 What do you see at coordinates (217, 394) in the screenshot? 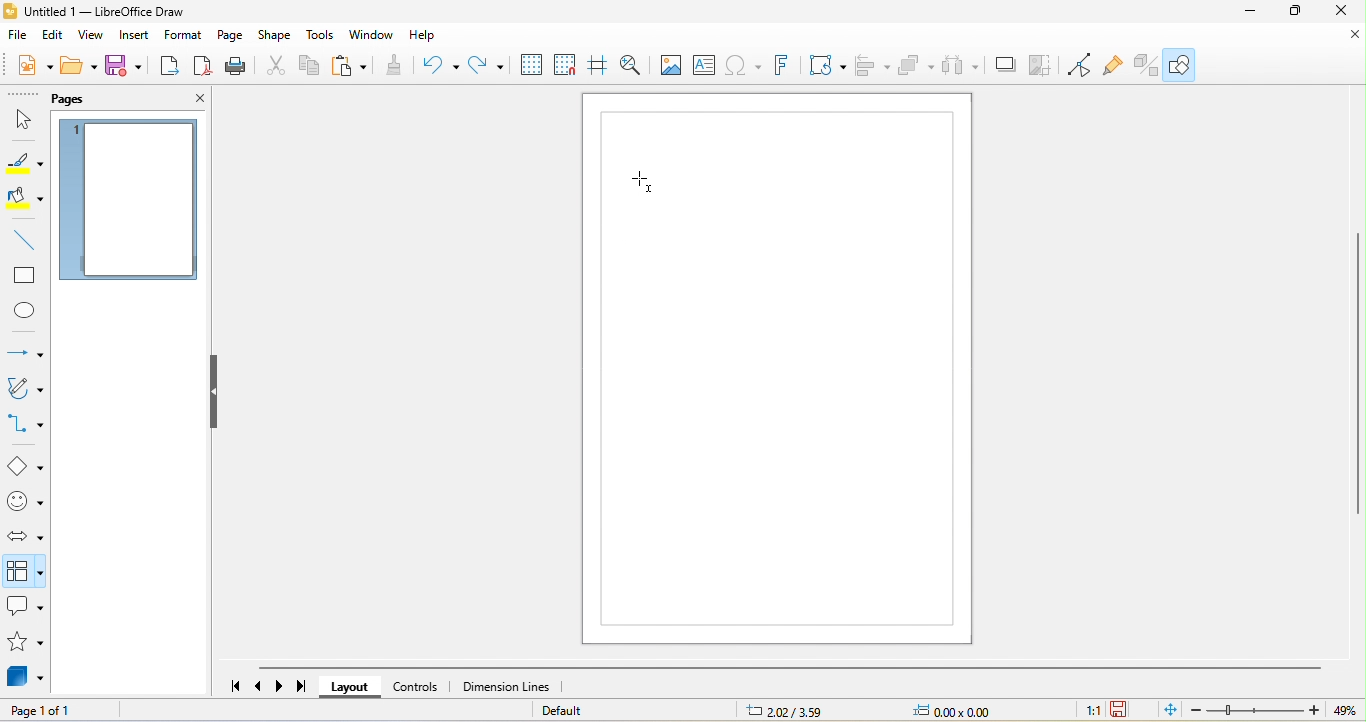
I see `hide` at bounding box center [217, 394].